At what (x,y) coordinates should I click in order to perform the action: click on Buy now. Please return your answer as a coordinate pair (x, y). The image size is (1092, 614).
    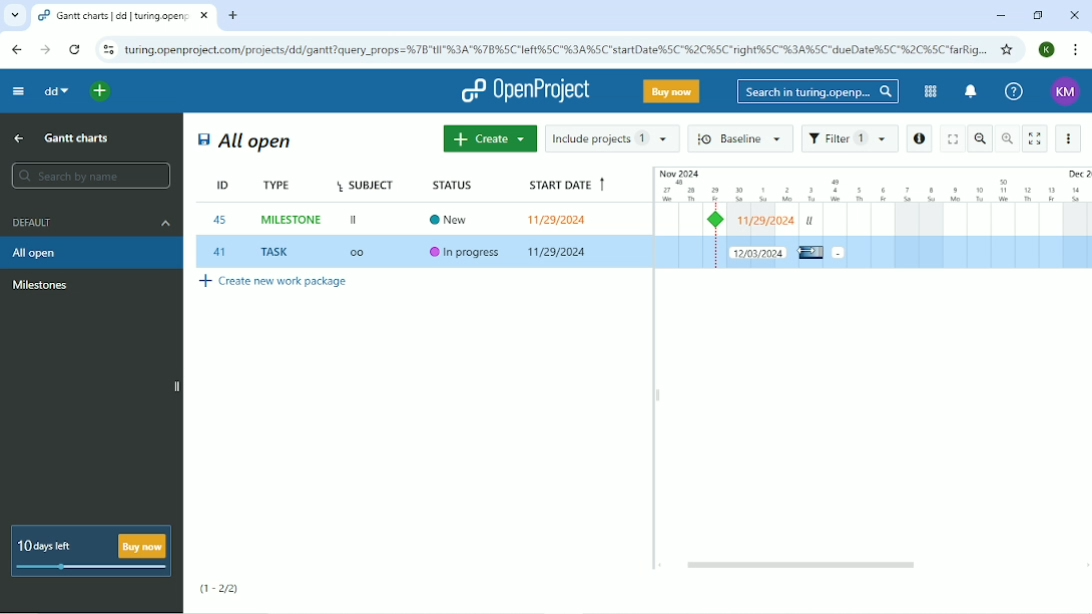
    Looking at the image, I should click on (672, 91).